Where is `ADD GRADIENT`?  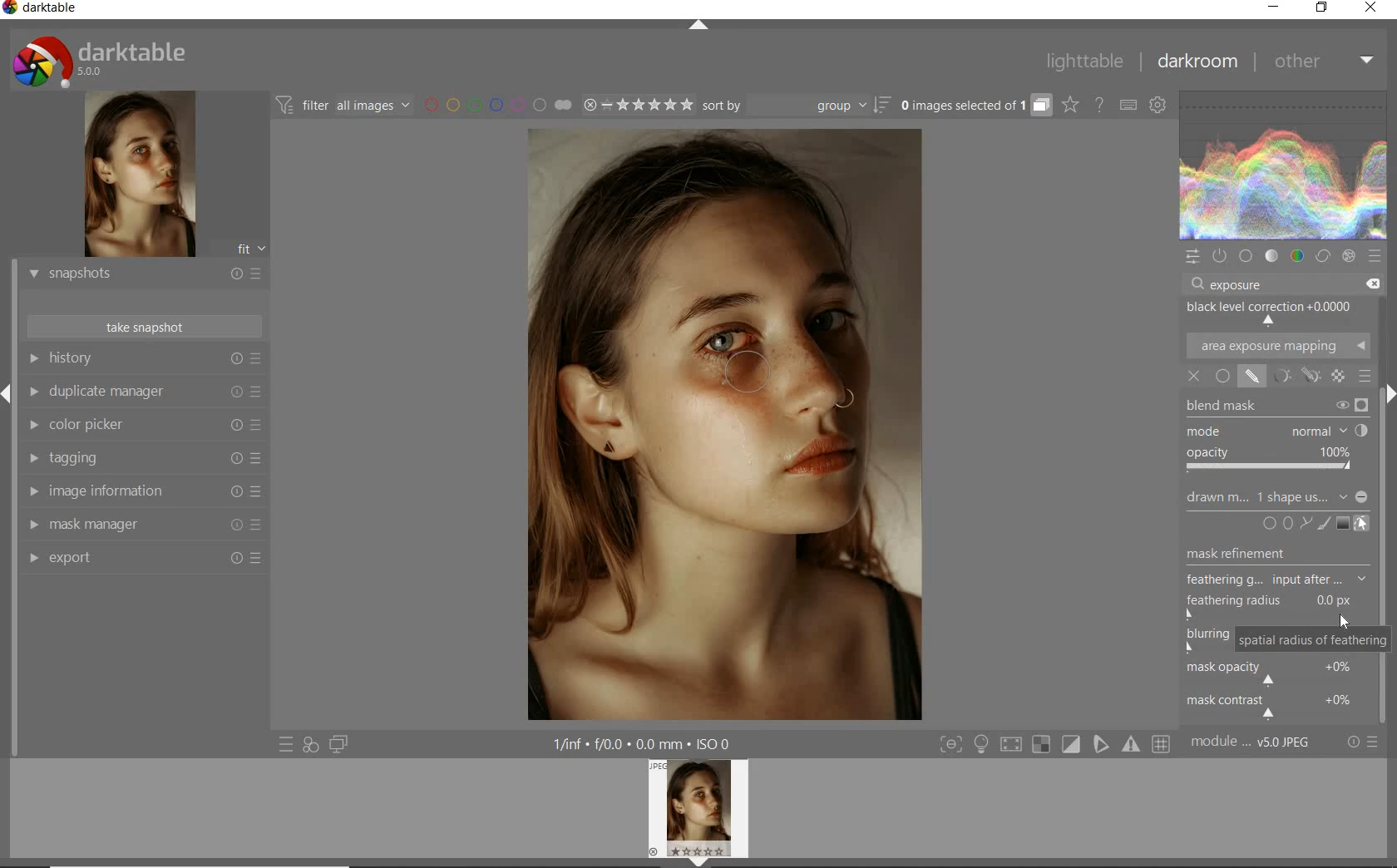 ADD GRADIENT is located at coordinates (1341, 524).